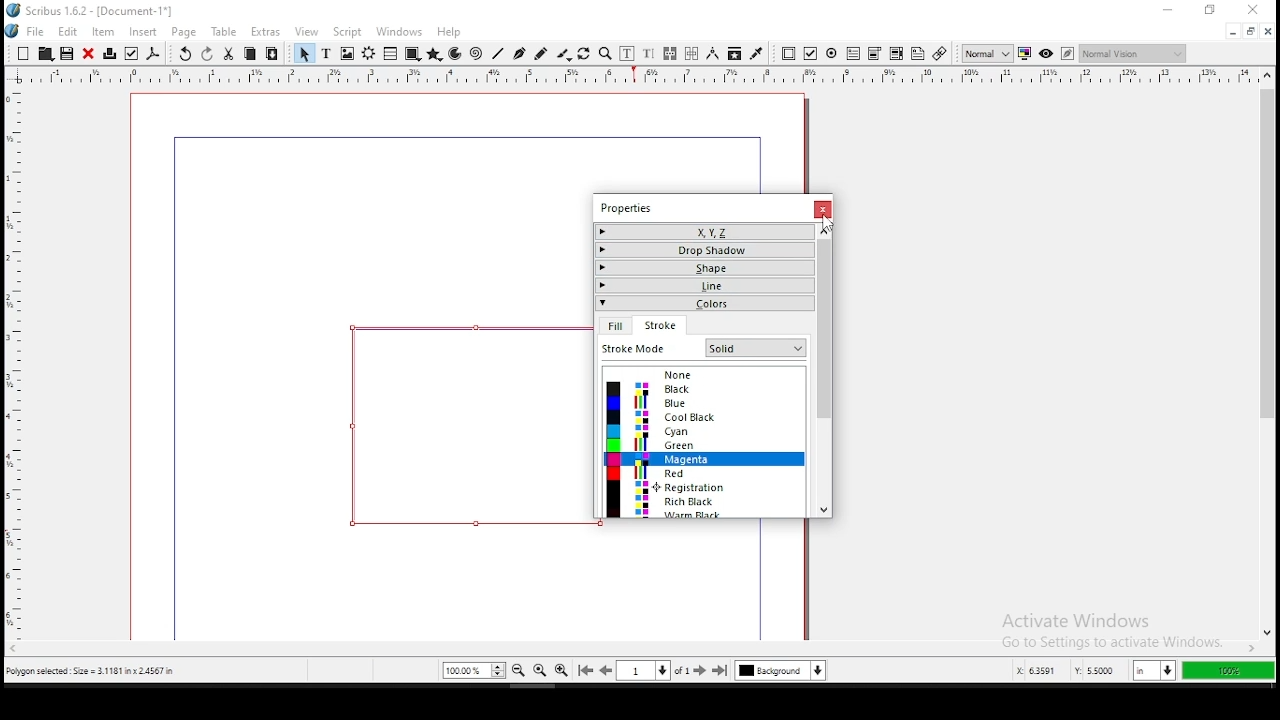  What do you see at coordinates (474, 670) in the screenshot?
I see `zoom 100%` at bounding box center [474, 670].